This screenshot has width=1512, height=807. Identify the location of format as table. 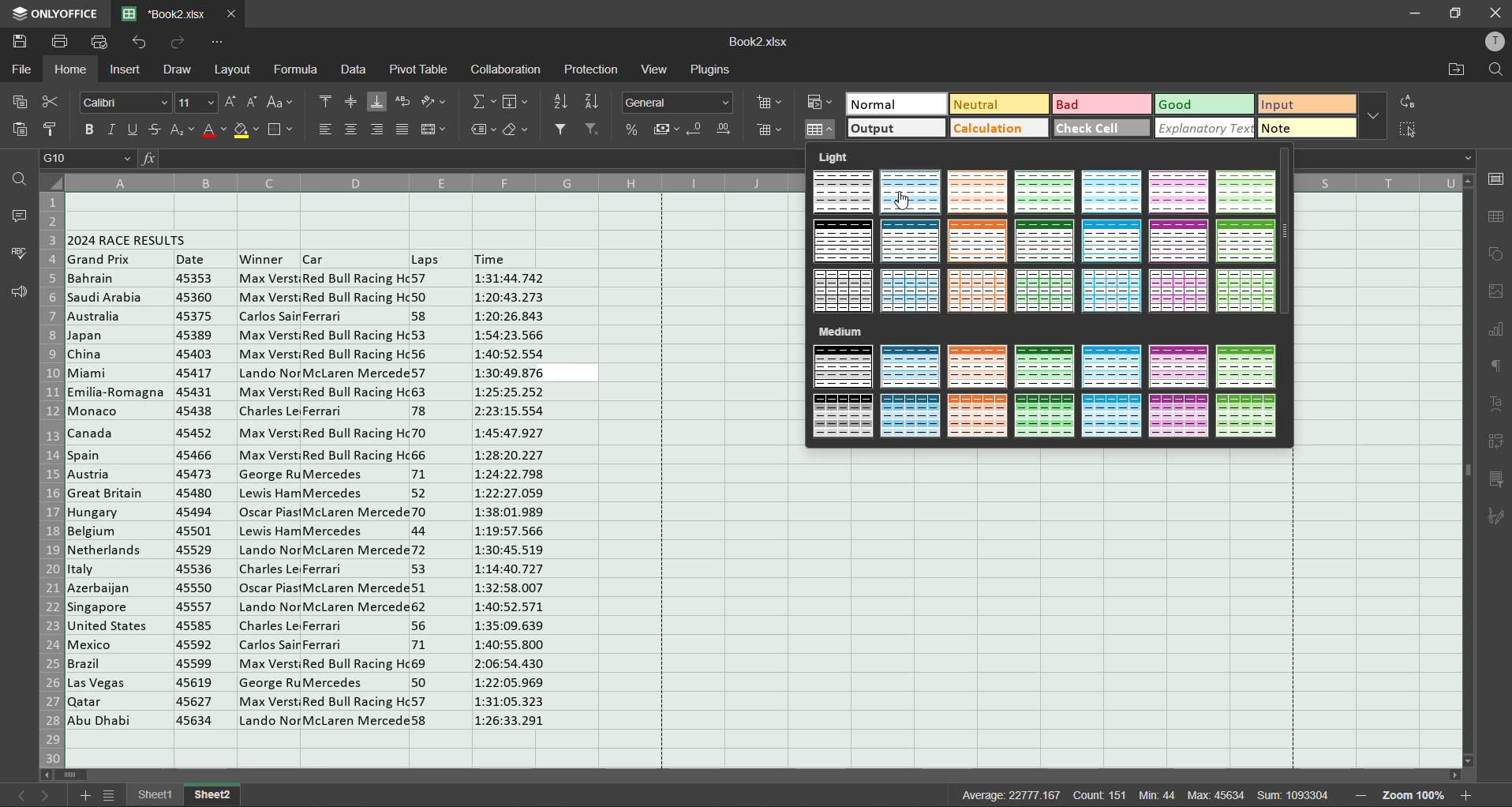
(823, 131).